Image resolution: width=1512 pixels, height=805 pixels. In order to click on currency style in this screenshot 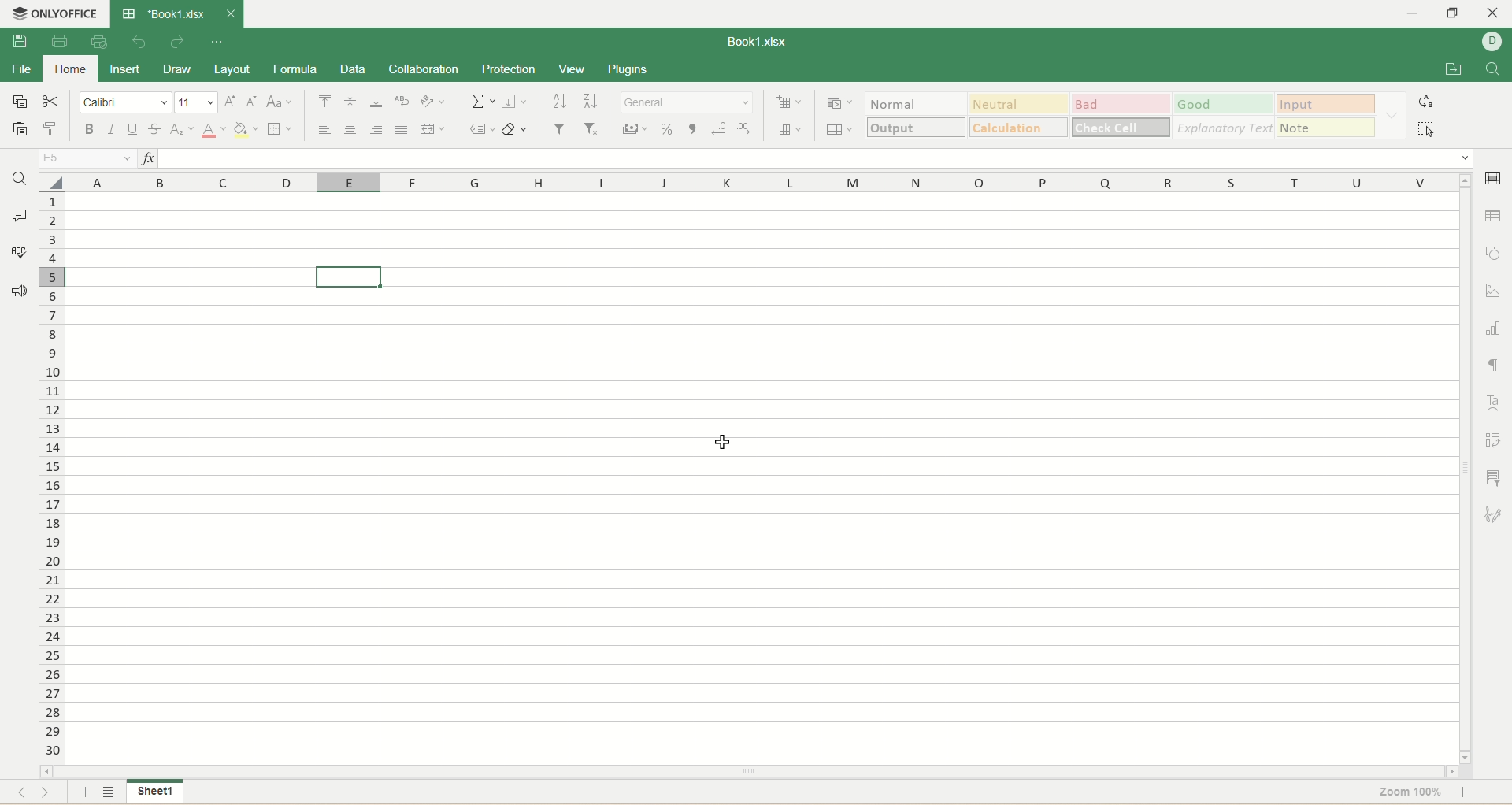, I will do `click(638, 131)`.